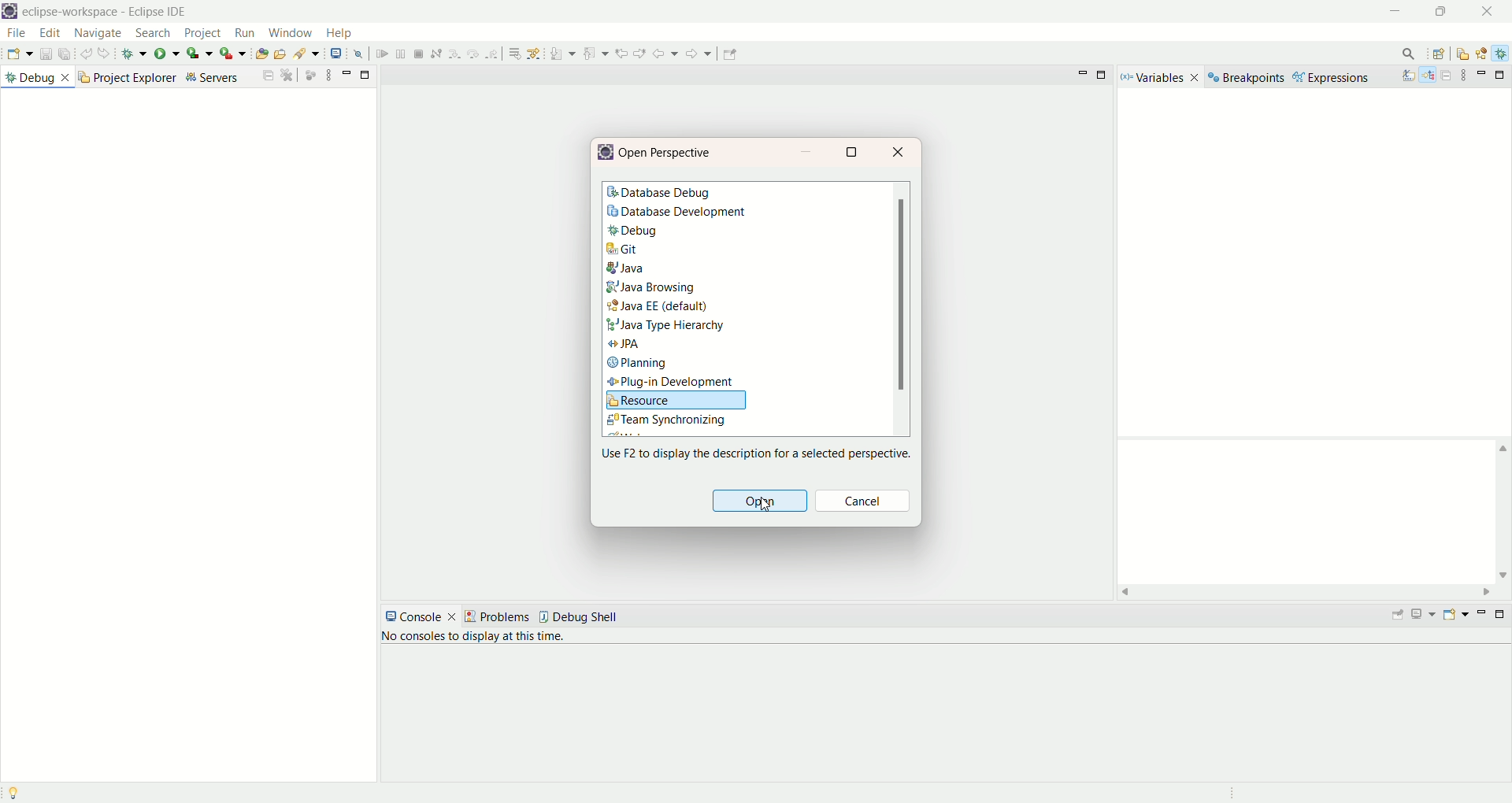 The width and height of the screenshot is (1512, 803). Describe the element at coordinates (449, 53) in the screenshot. I see `open a terminal` at that location.